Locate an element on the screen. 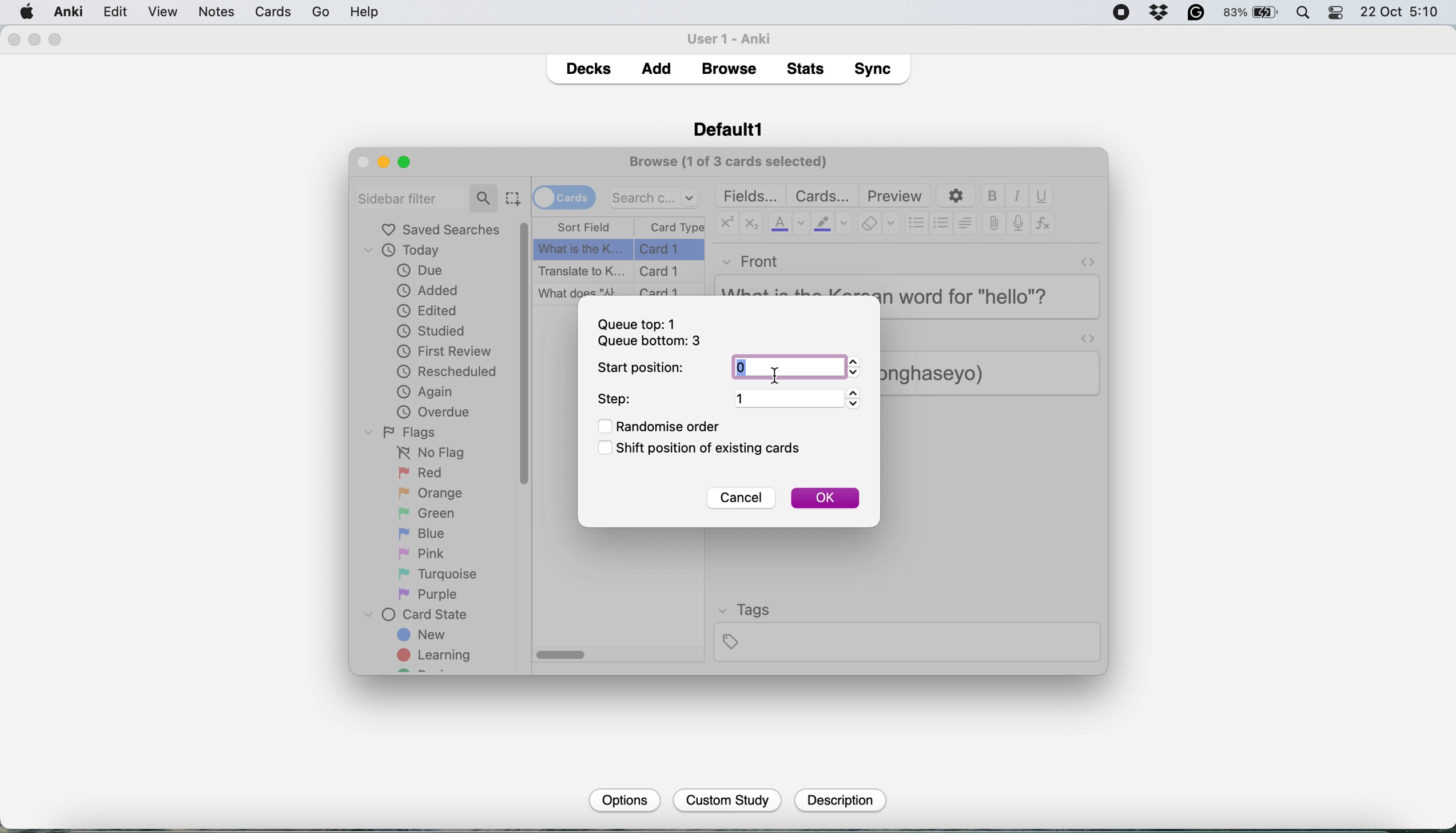 This screenshot has width=1456, height=833. superscript is located at coordinates (726, 225).